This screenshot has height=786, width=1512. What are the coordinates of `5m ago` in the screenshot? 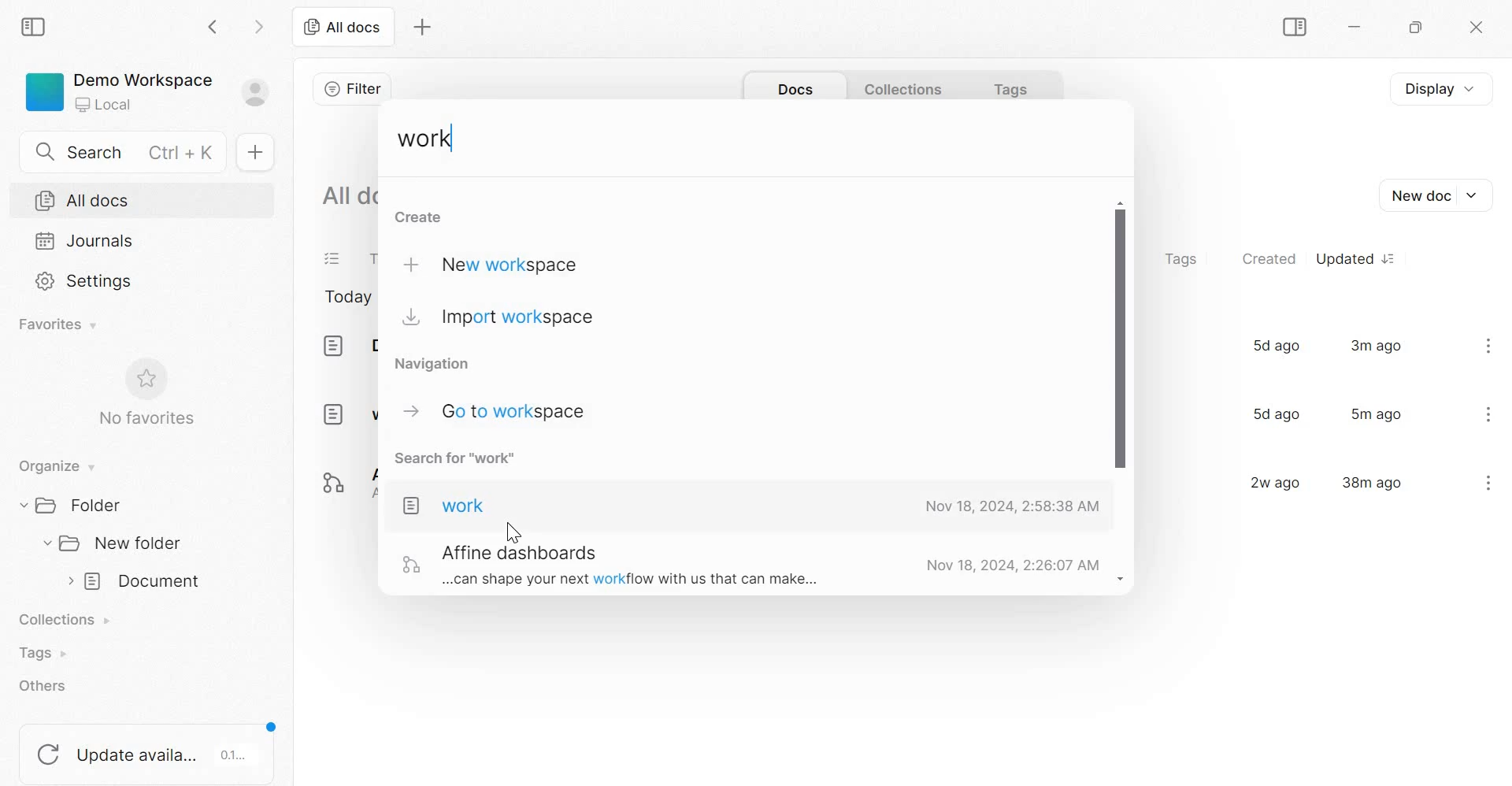 It's located at (1377, 413).